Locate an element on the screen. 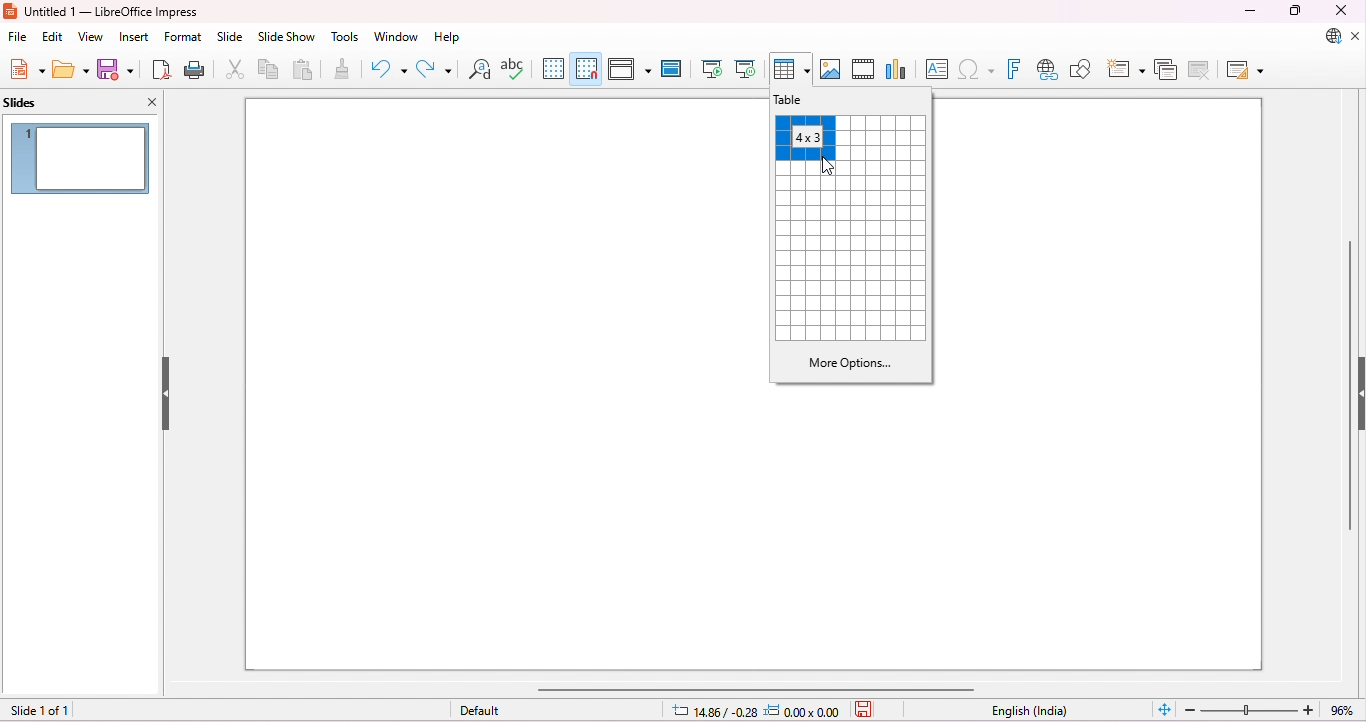 The height and width of the screenshot is (722, 1366). save is located at coordinates (865, 711).